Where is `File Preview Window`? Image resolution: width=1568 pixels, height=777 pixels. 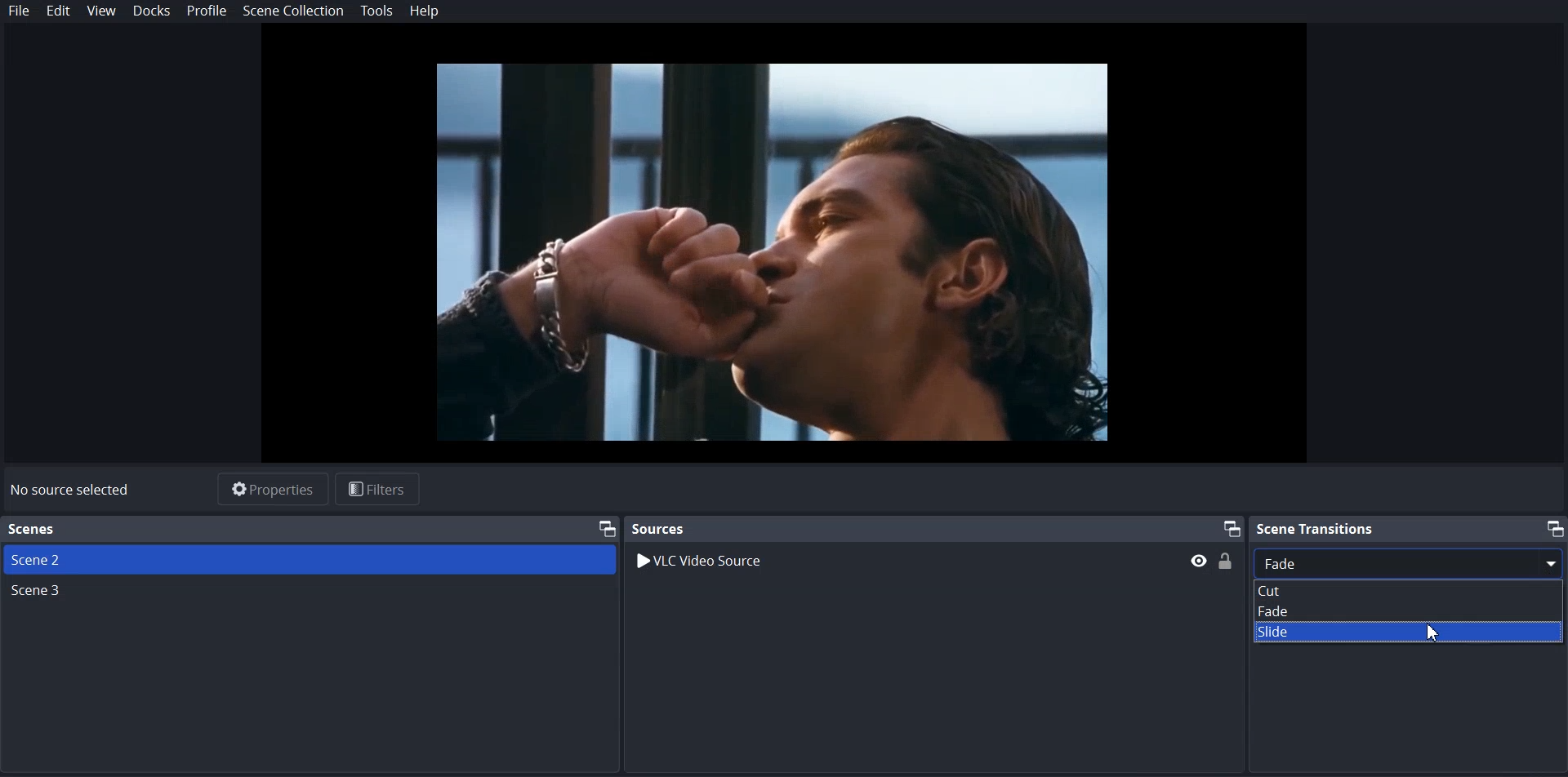
File Preview Window is located at coordinates (769, 253).